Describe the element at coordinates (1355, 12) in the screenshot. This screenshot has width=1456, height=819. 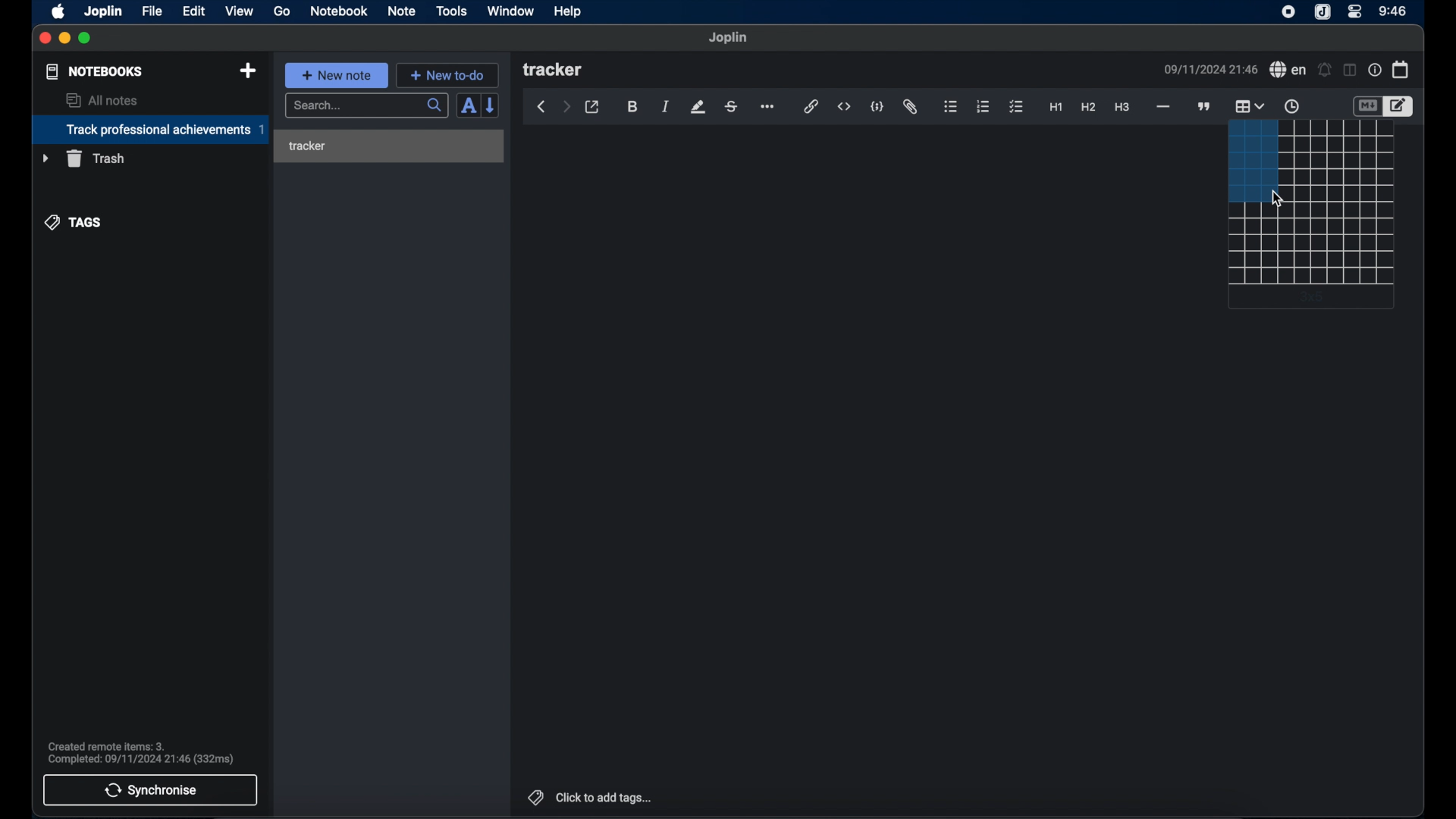
I see `control center` at that location.